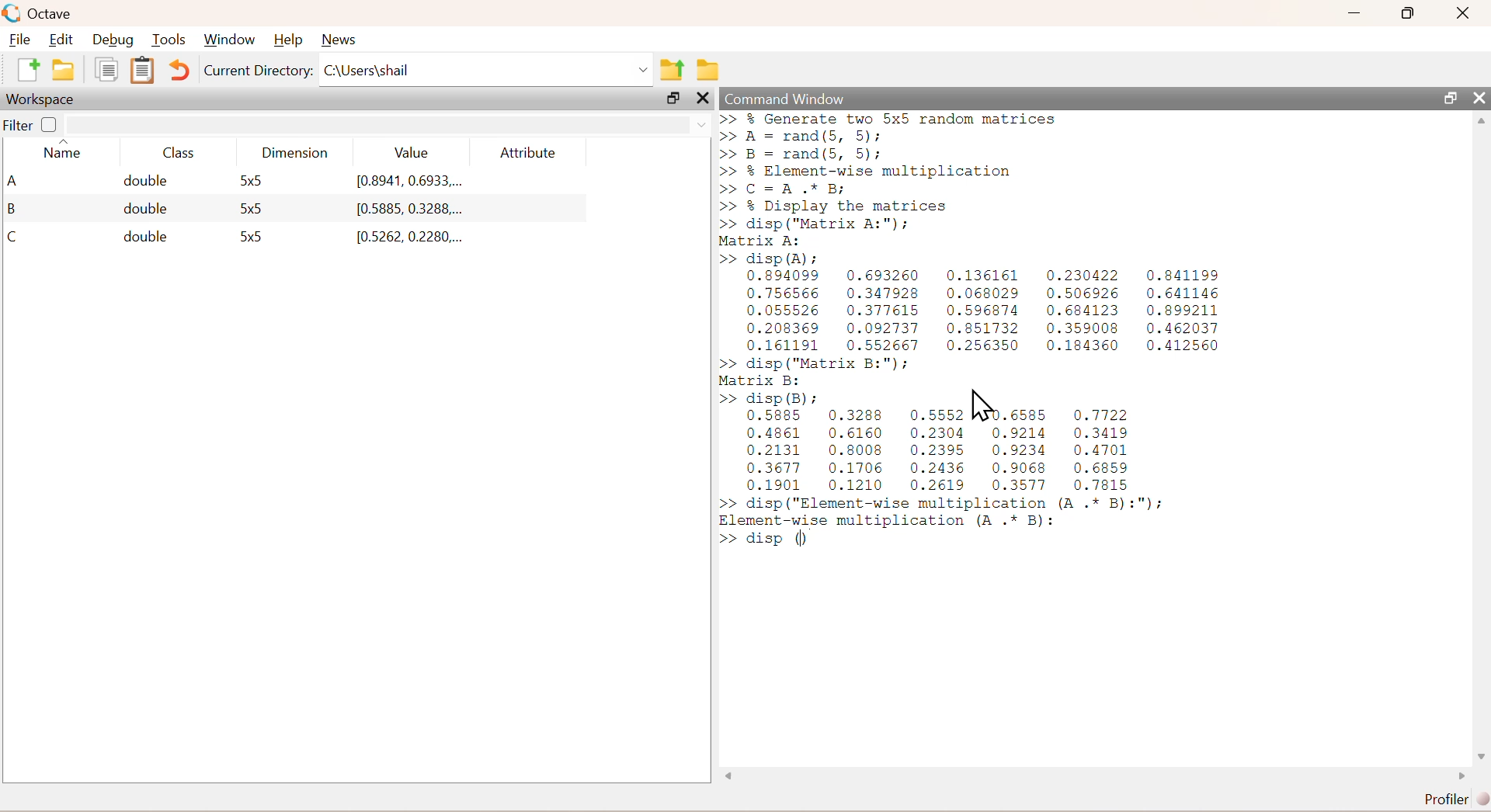  What do you see at coordinates (1354, 13) in the screenshot?
I see `Minimize` at bounding box center [1354, 13].